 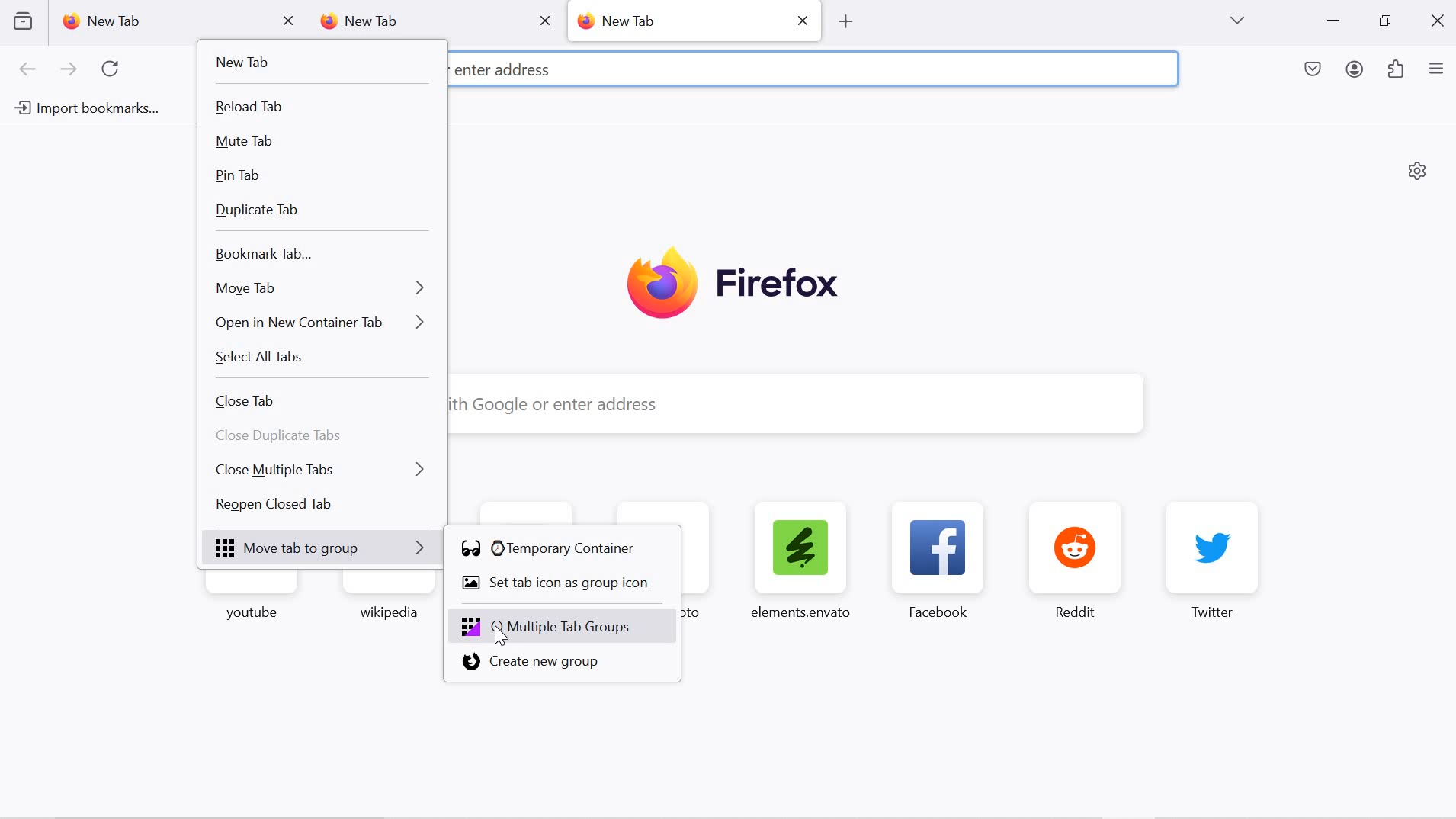 I want to click on create new group, so click(x=562, y=663).